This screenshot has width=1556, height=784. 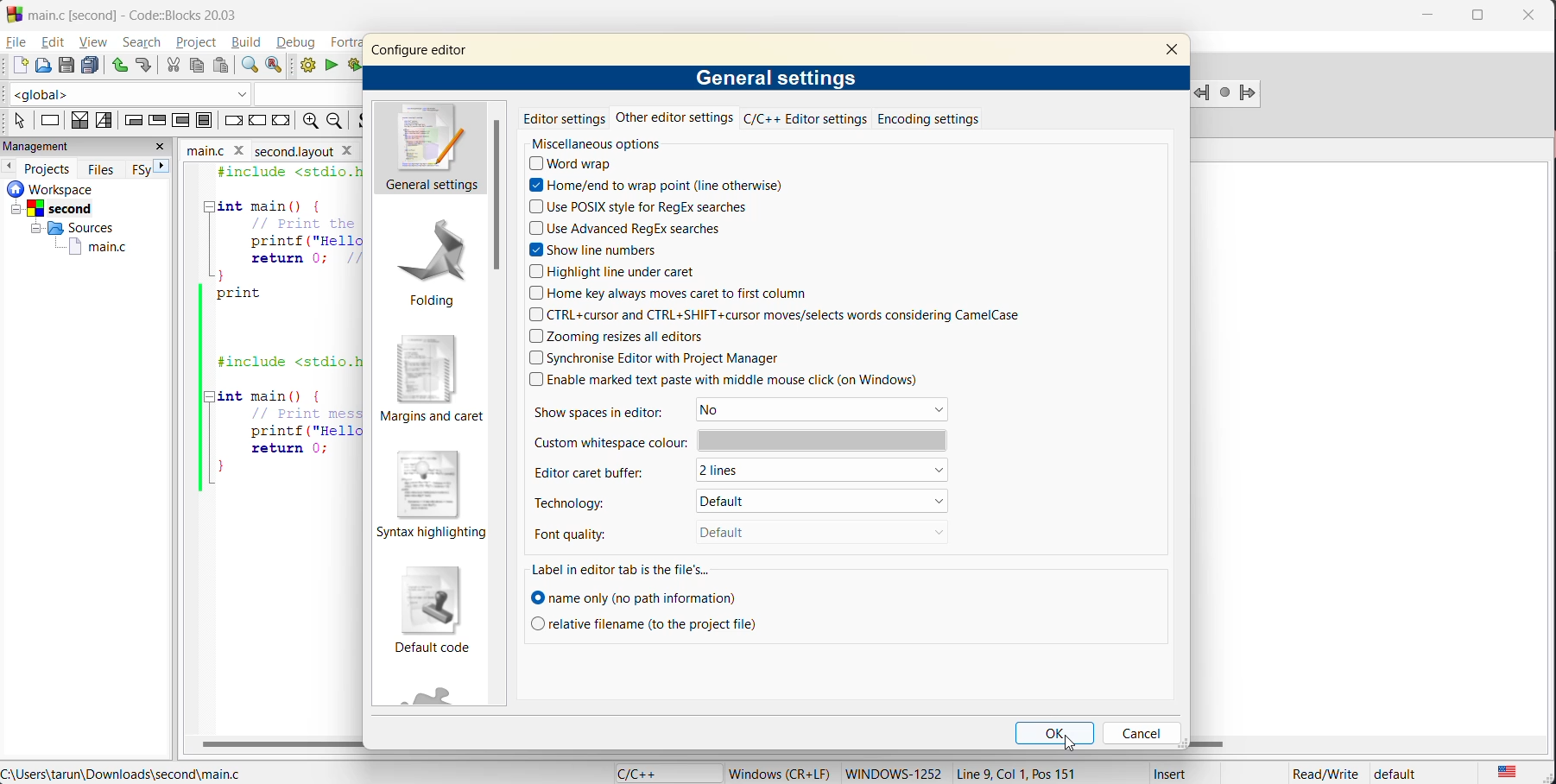 I want to click on name only (no path information), so click(x=642, y=597).